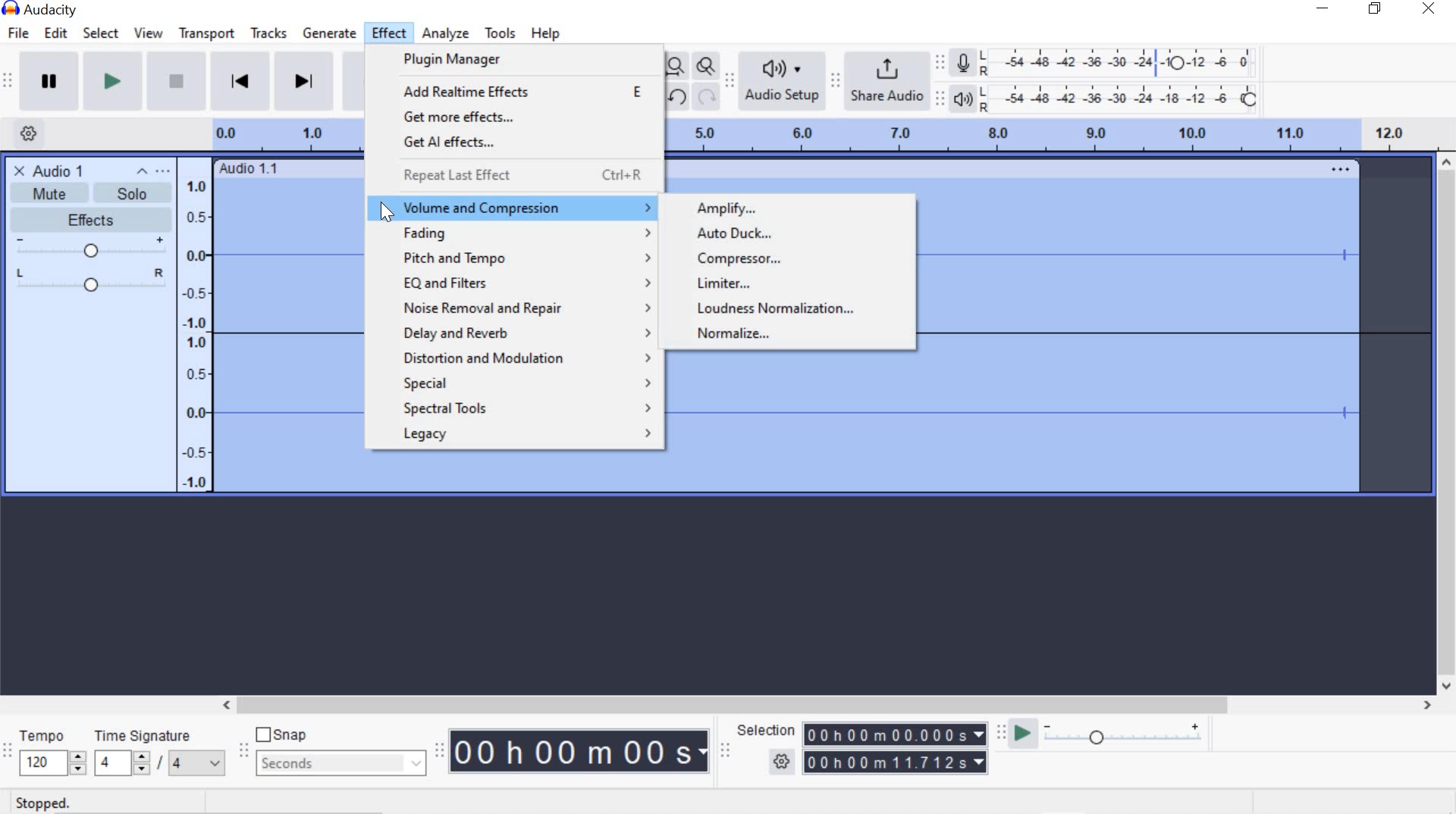  Describe the element at coordinates (834, 80) in the screenshot. I see `Share audio toolbar` at that location.